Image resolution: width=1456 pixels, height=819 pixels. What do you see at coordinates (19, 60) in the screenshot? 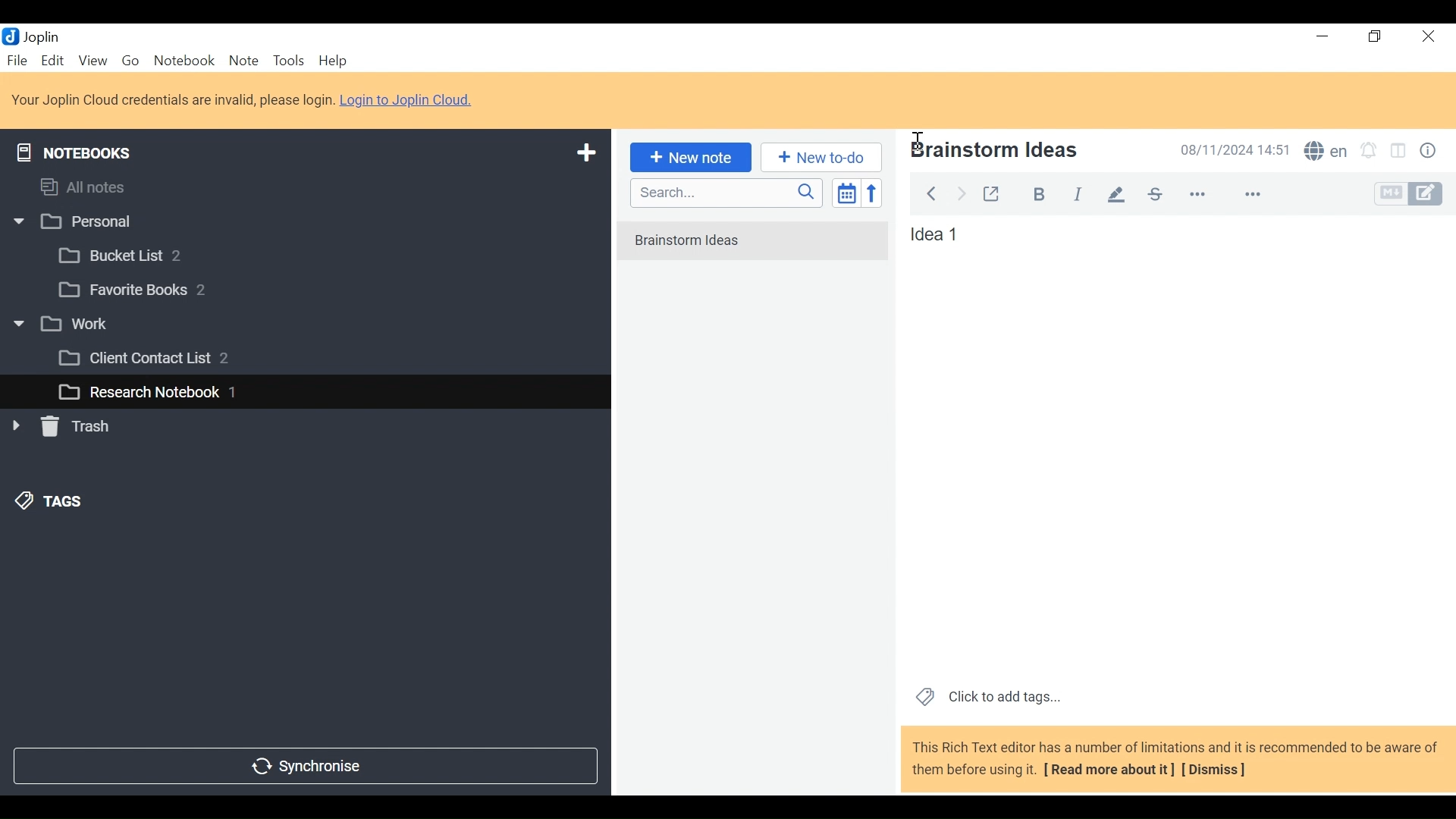
I see `File` at bounding box center [19, 60].